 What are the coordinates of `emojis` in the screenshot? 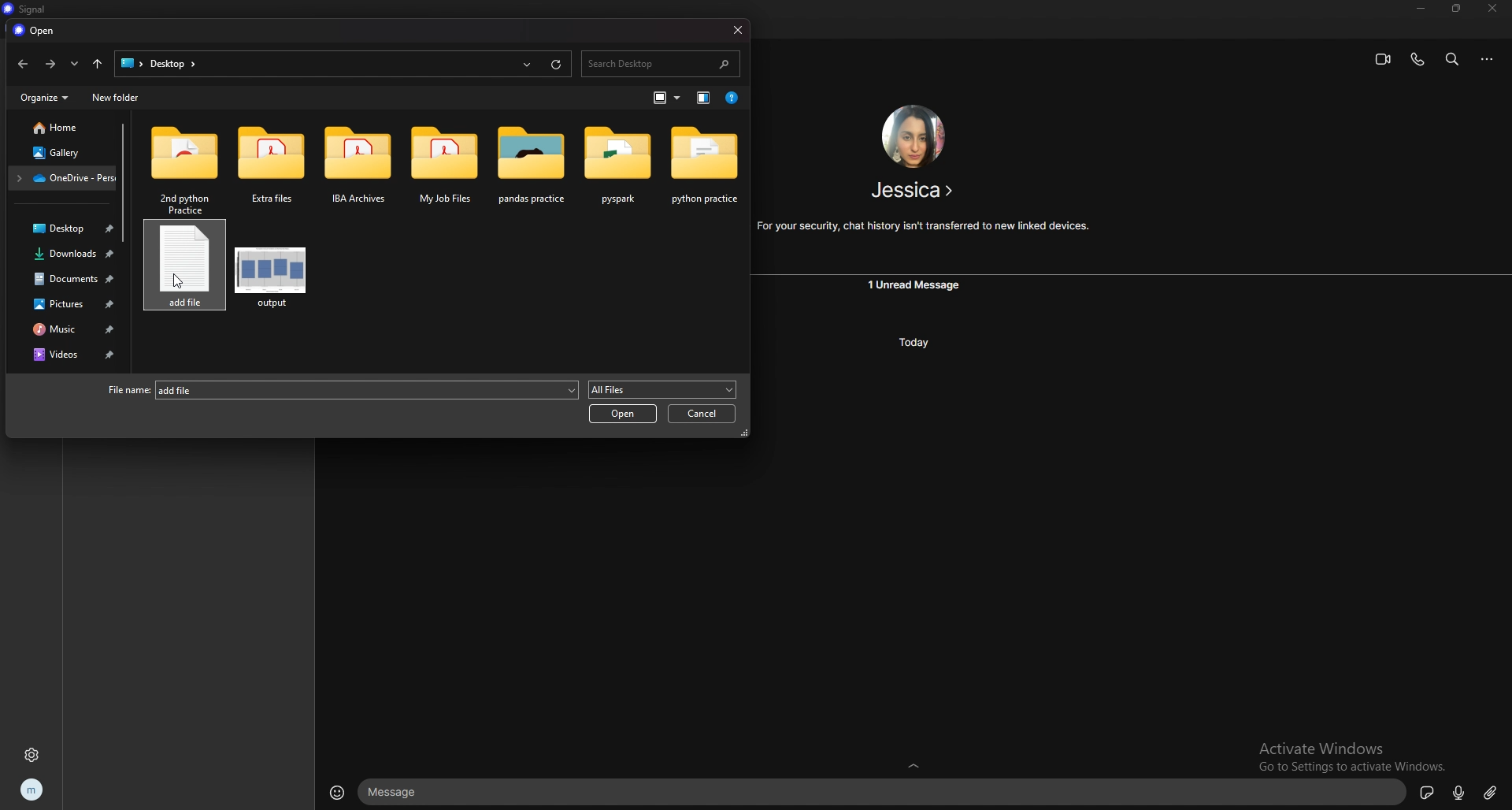 It's located at (337, 793).